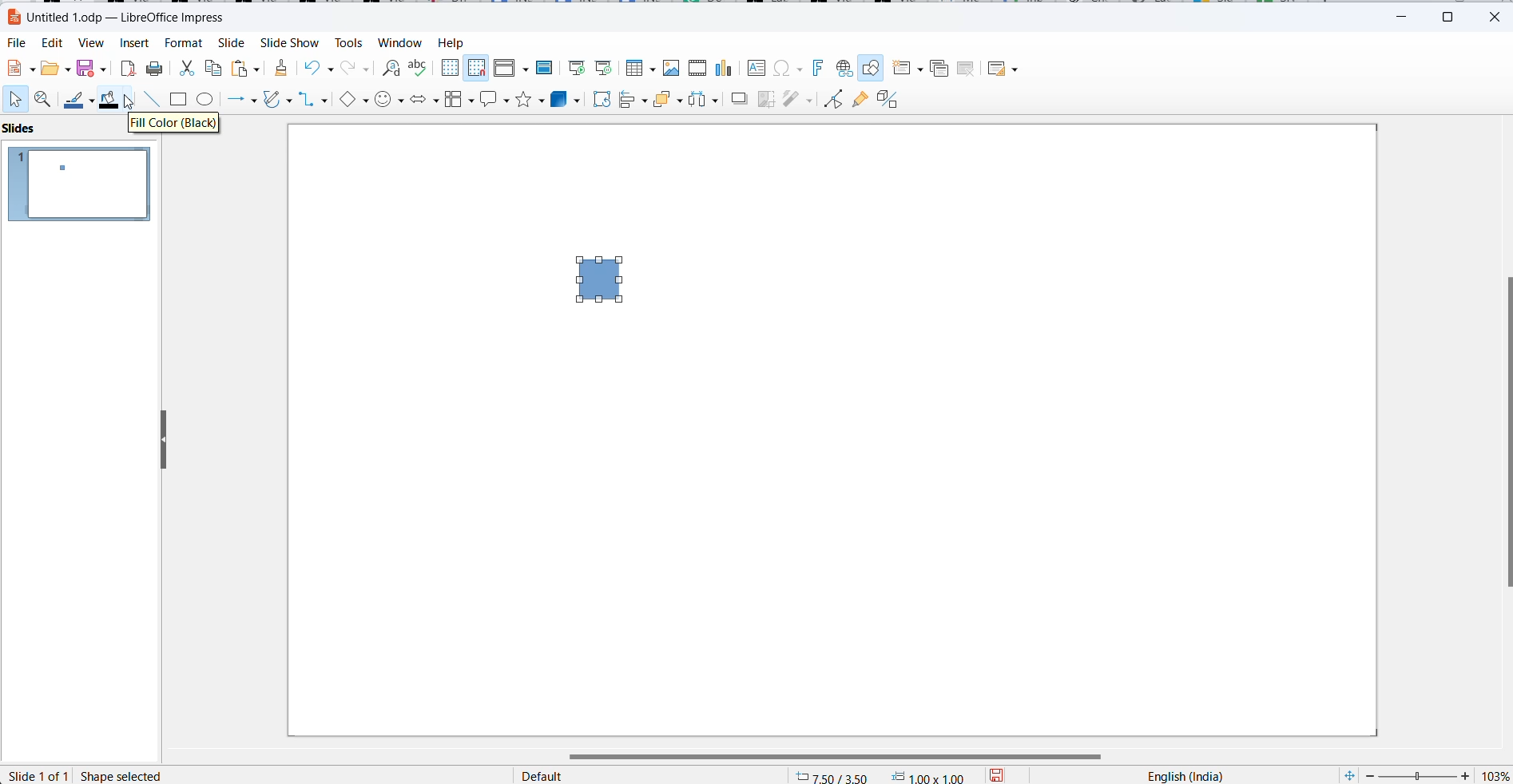  I want to click on zoom and pan, so click(45, 101).